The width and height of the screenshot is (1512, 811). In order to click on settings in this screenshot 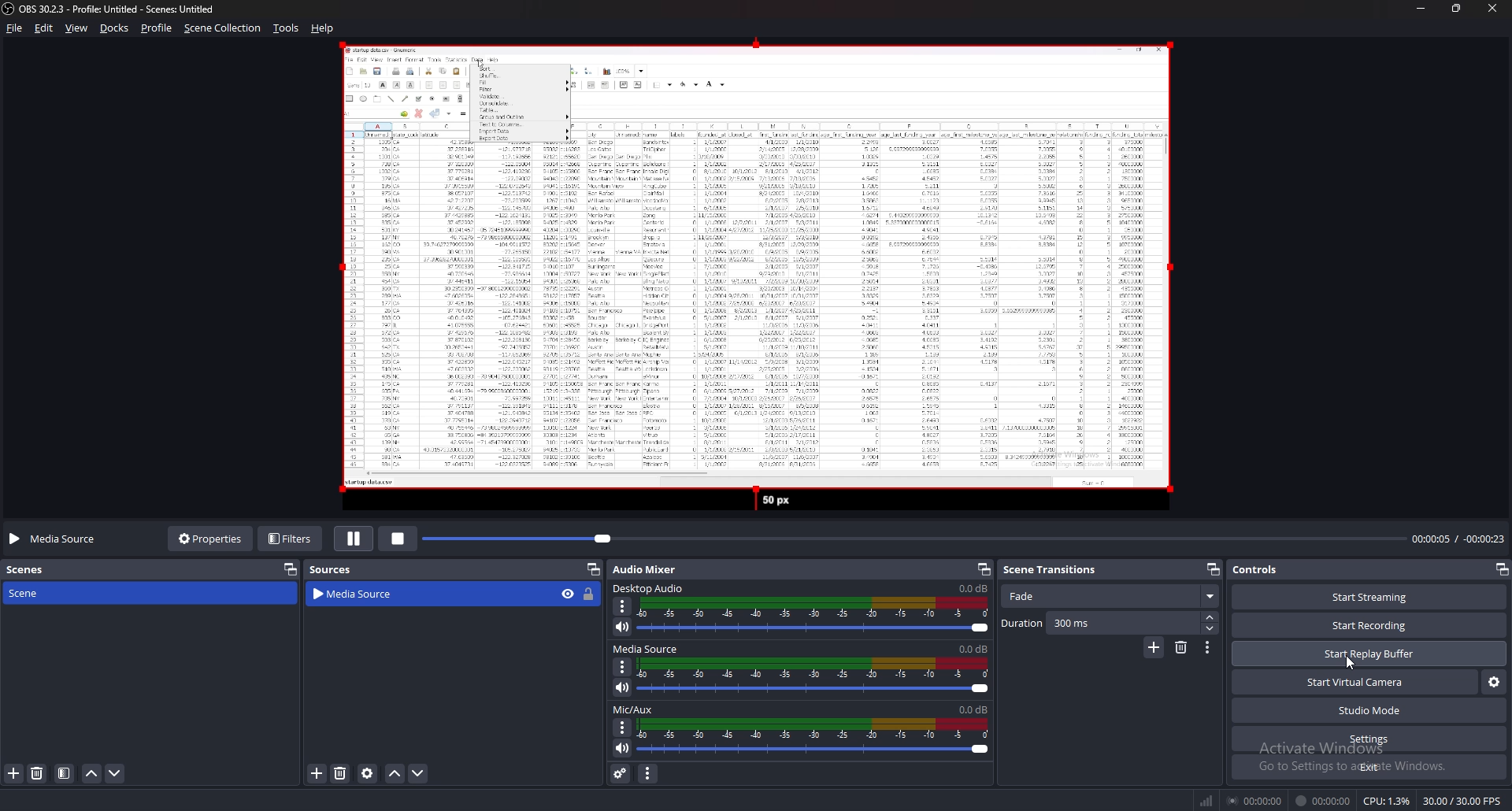, I will do `click(1369, 739)`.